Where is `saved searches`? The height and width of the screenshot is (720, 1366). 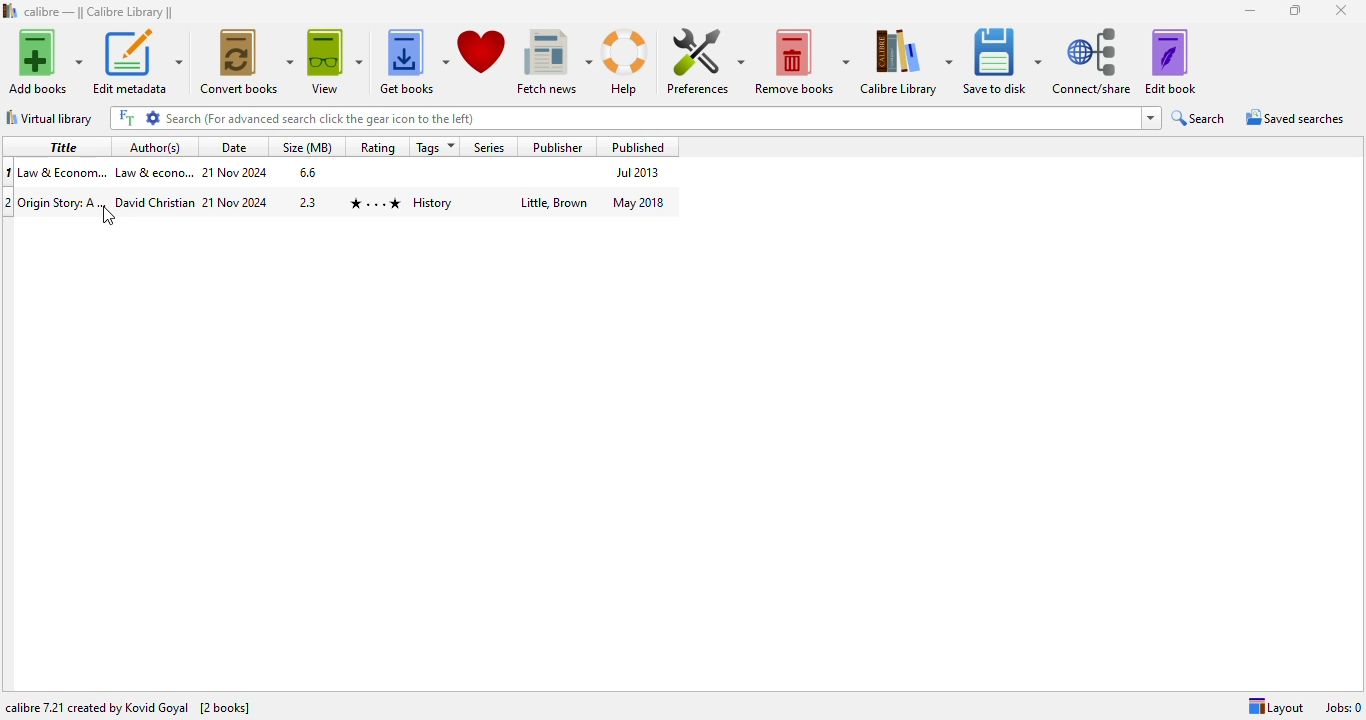 saved searches is located at coordinates (1293, 118).